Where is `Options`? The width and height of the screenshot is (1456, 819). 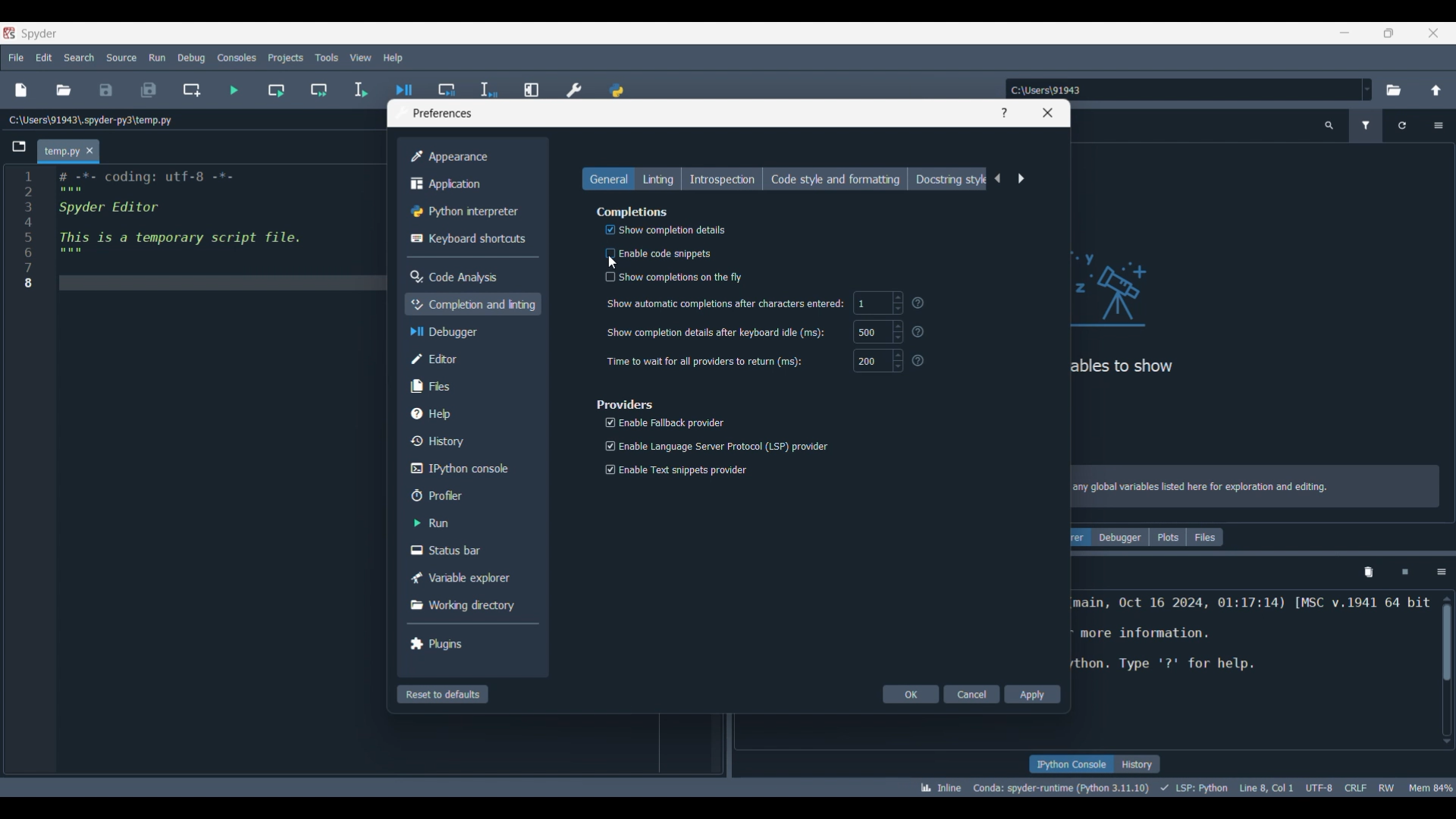
Options is located at coordinates (1439, 126).